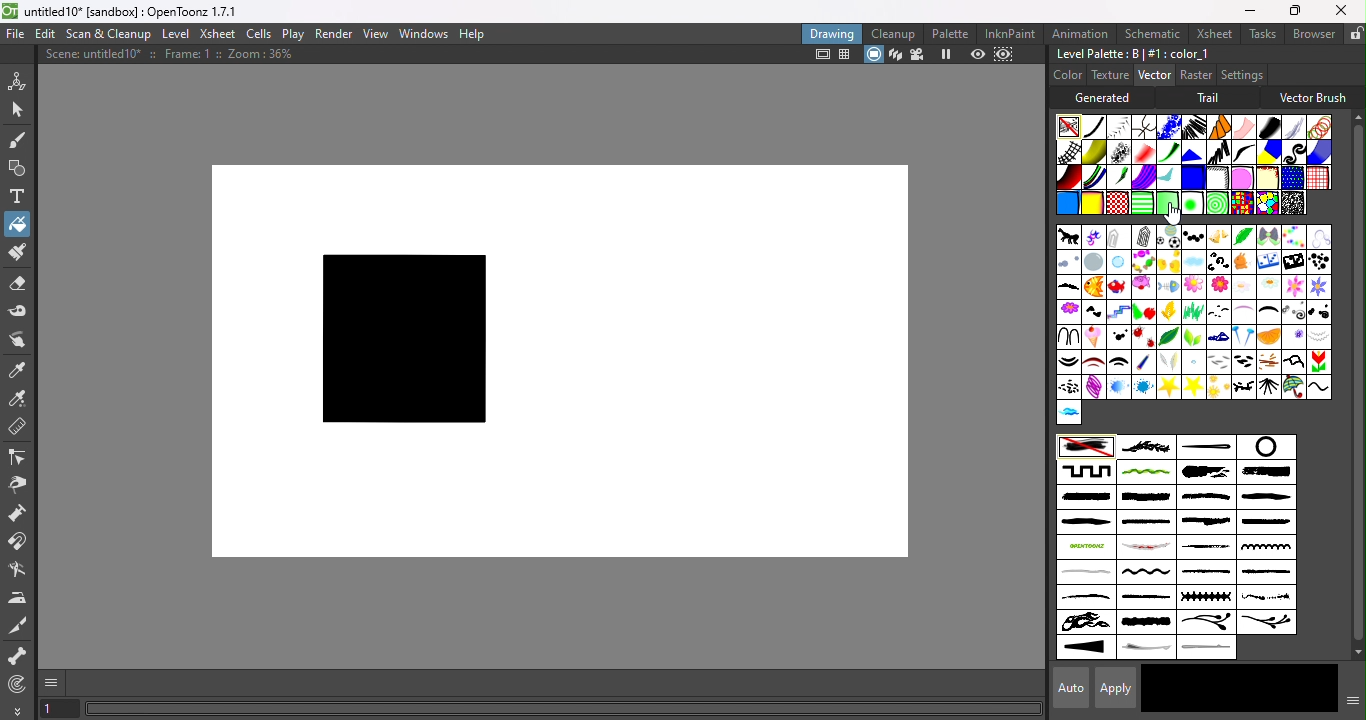  I want to click on field guide, so click(846, 56).